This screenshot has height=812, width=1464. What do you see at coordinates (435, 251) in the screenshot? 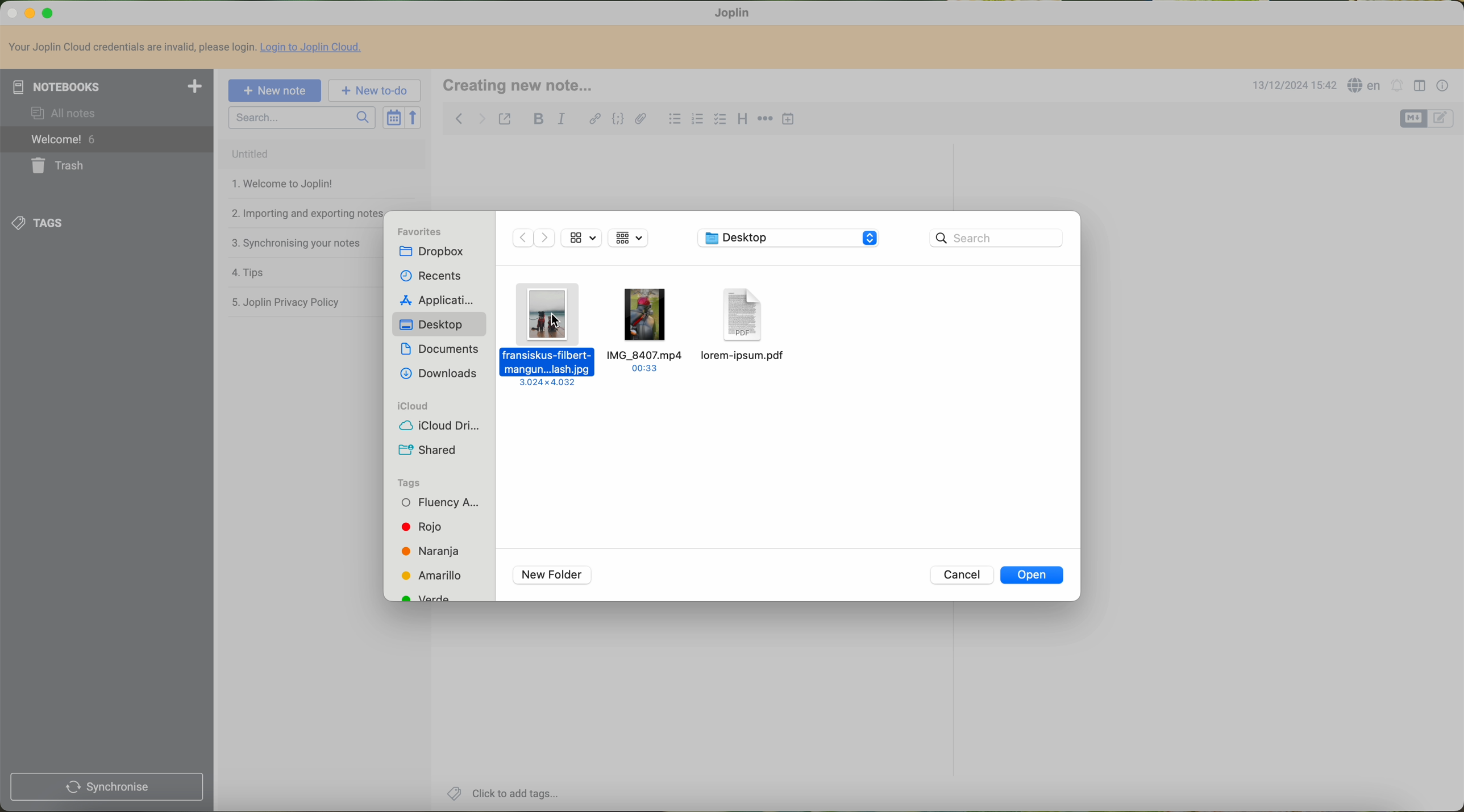
I see `dropbox` at bounding box center [435, 251].